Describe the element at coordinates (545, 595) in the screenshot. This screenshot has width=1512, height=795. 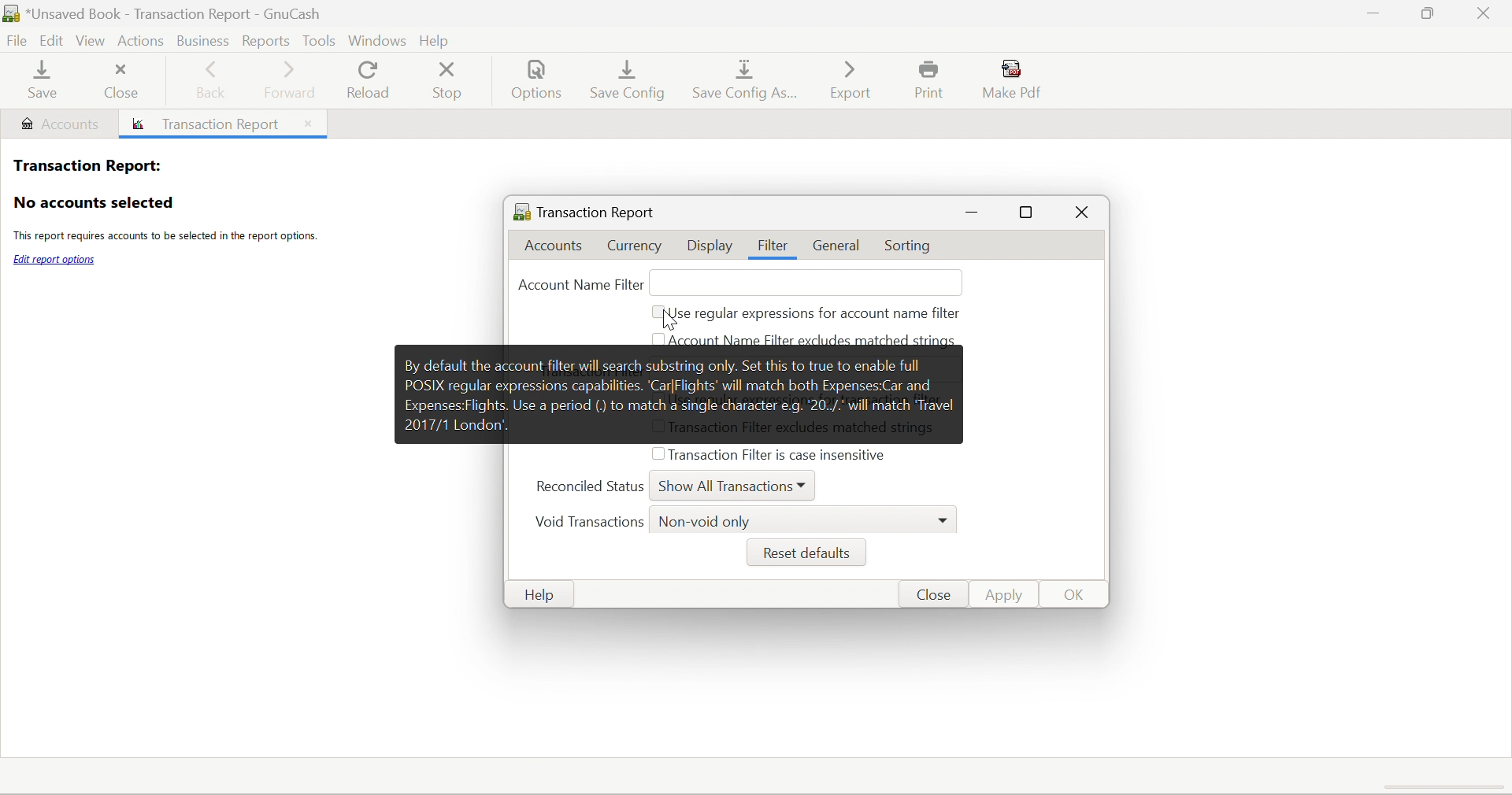
I see `Help` at that location.